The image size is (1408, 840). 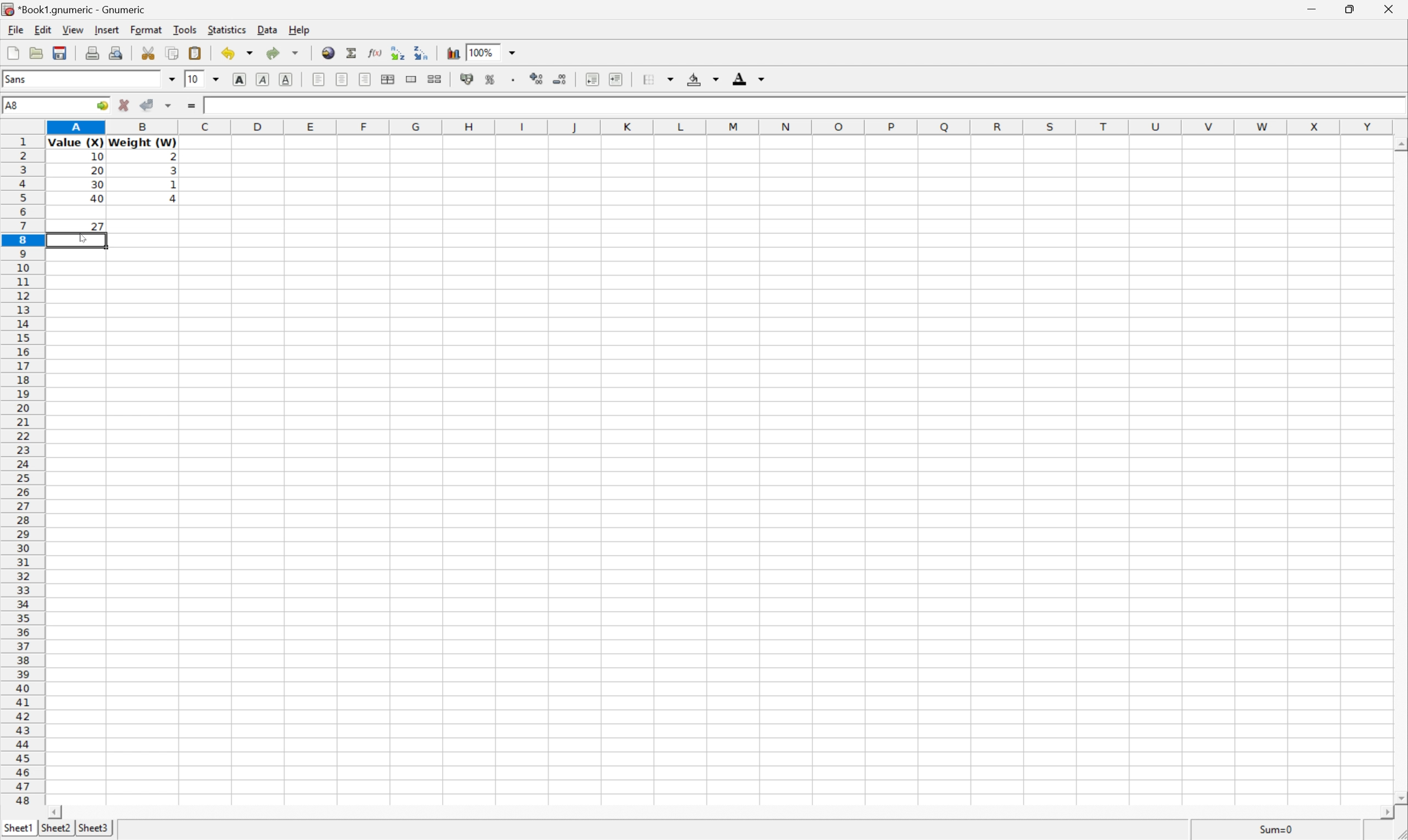 I want to click on , so click(x=96, y=158).